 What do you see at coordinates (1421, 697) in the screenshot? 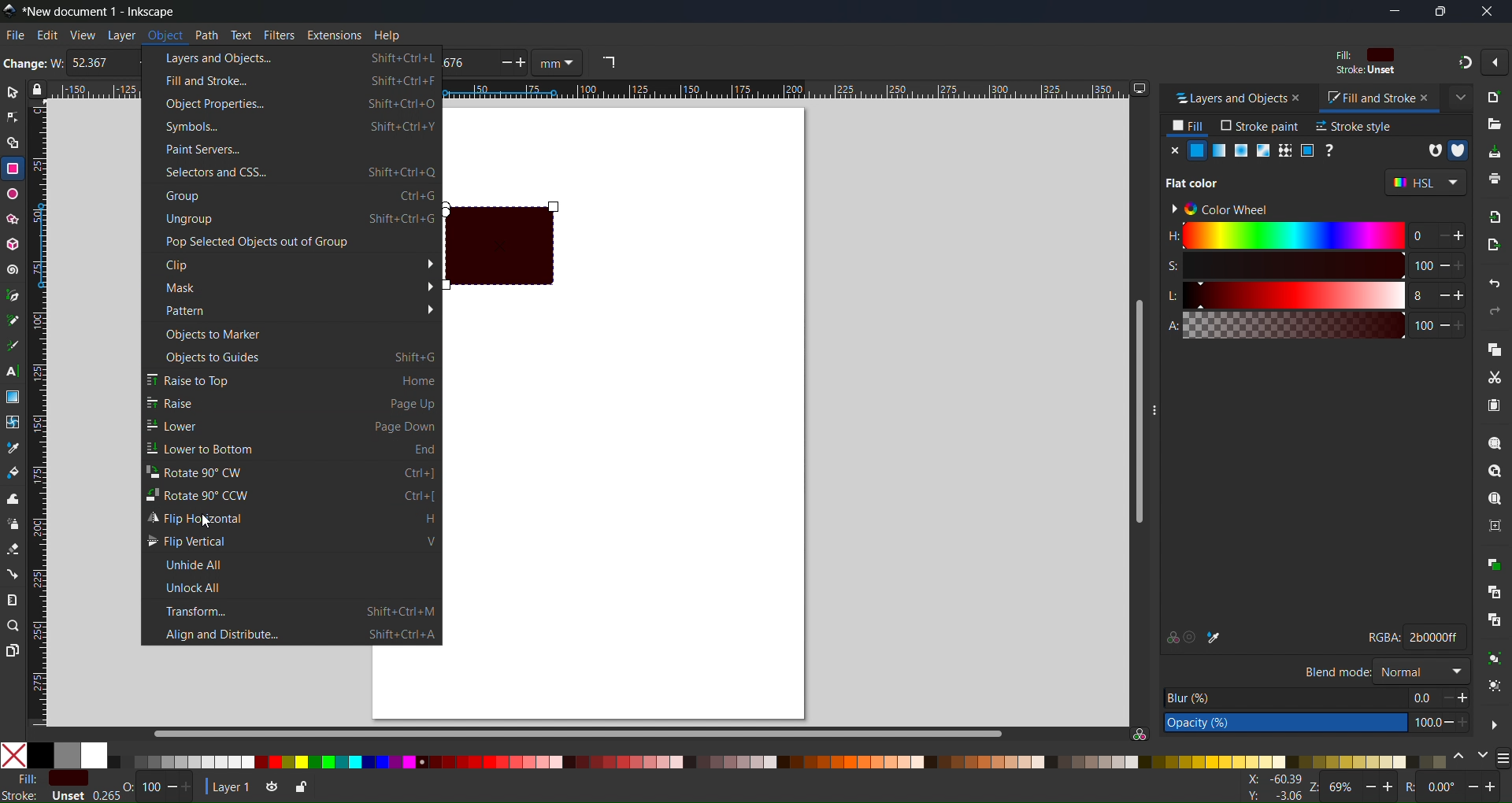
I see `current blur: 0.0` at bounding box center [1421, 697].